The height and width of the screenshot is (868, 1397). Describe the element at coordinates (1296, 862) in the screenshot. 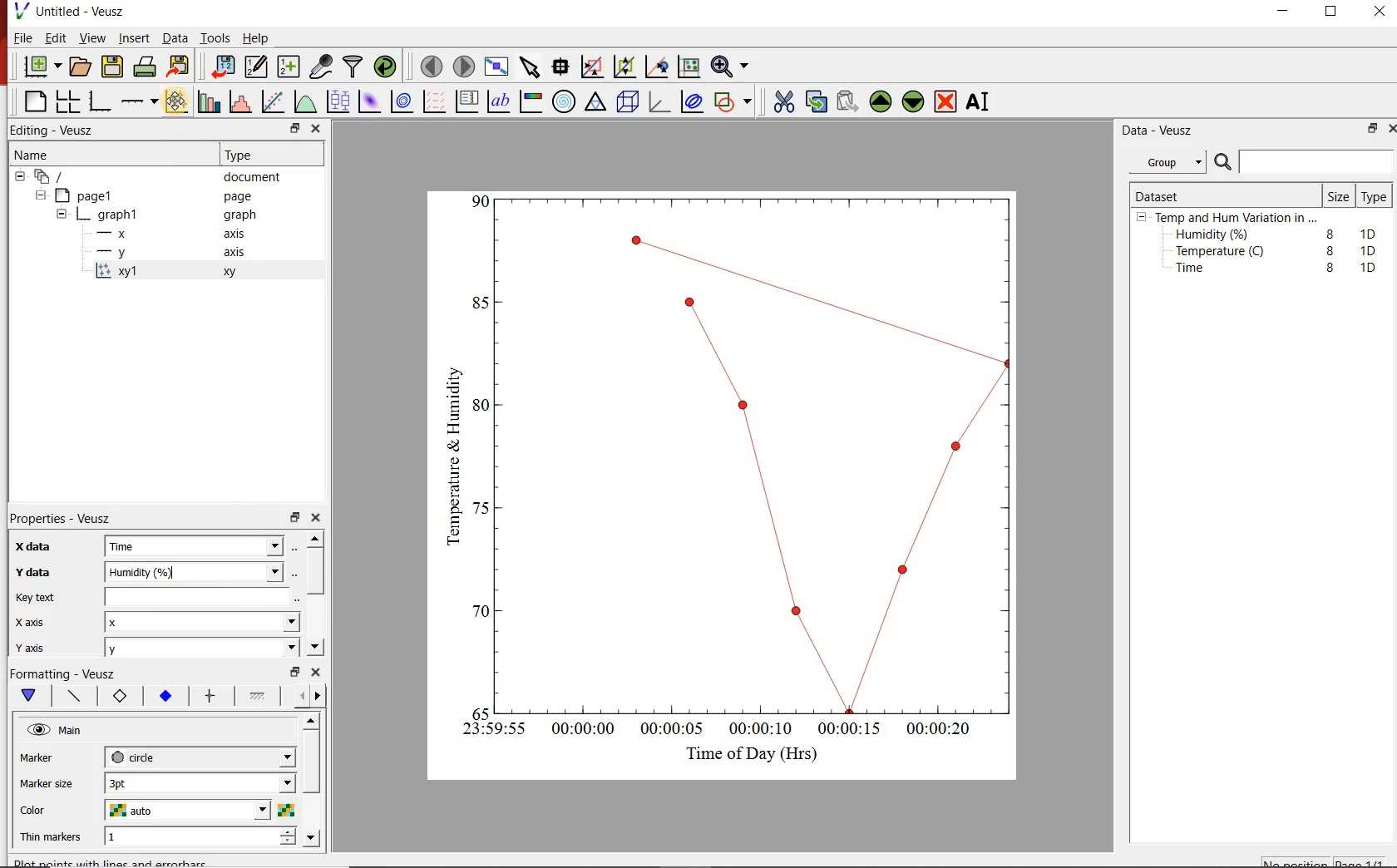

I see `No position` at that location.